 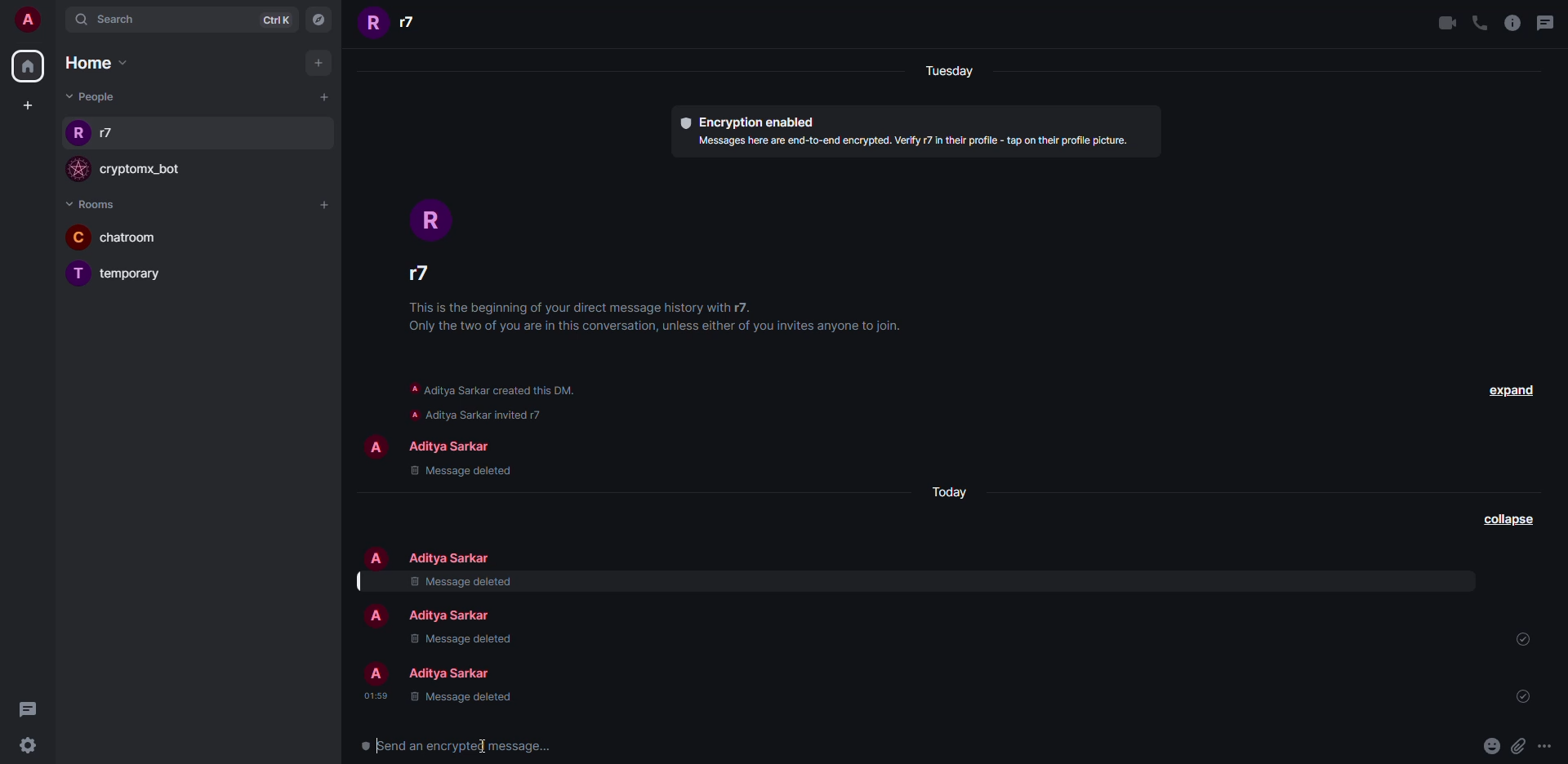 I want to click on day, so click(x=952, y=488).